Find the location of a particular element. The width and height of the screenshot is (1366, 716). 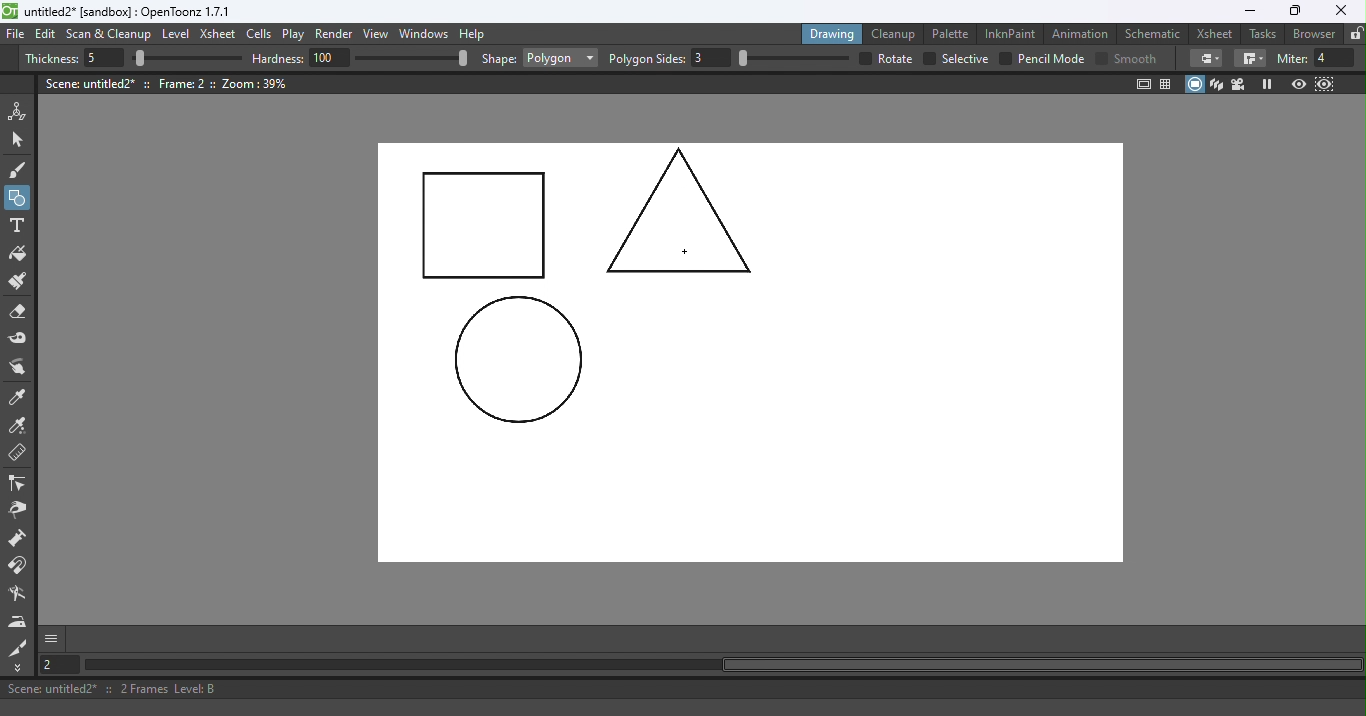

Close is located at coordinates (1340, 11).